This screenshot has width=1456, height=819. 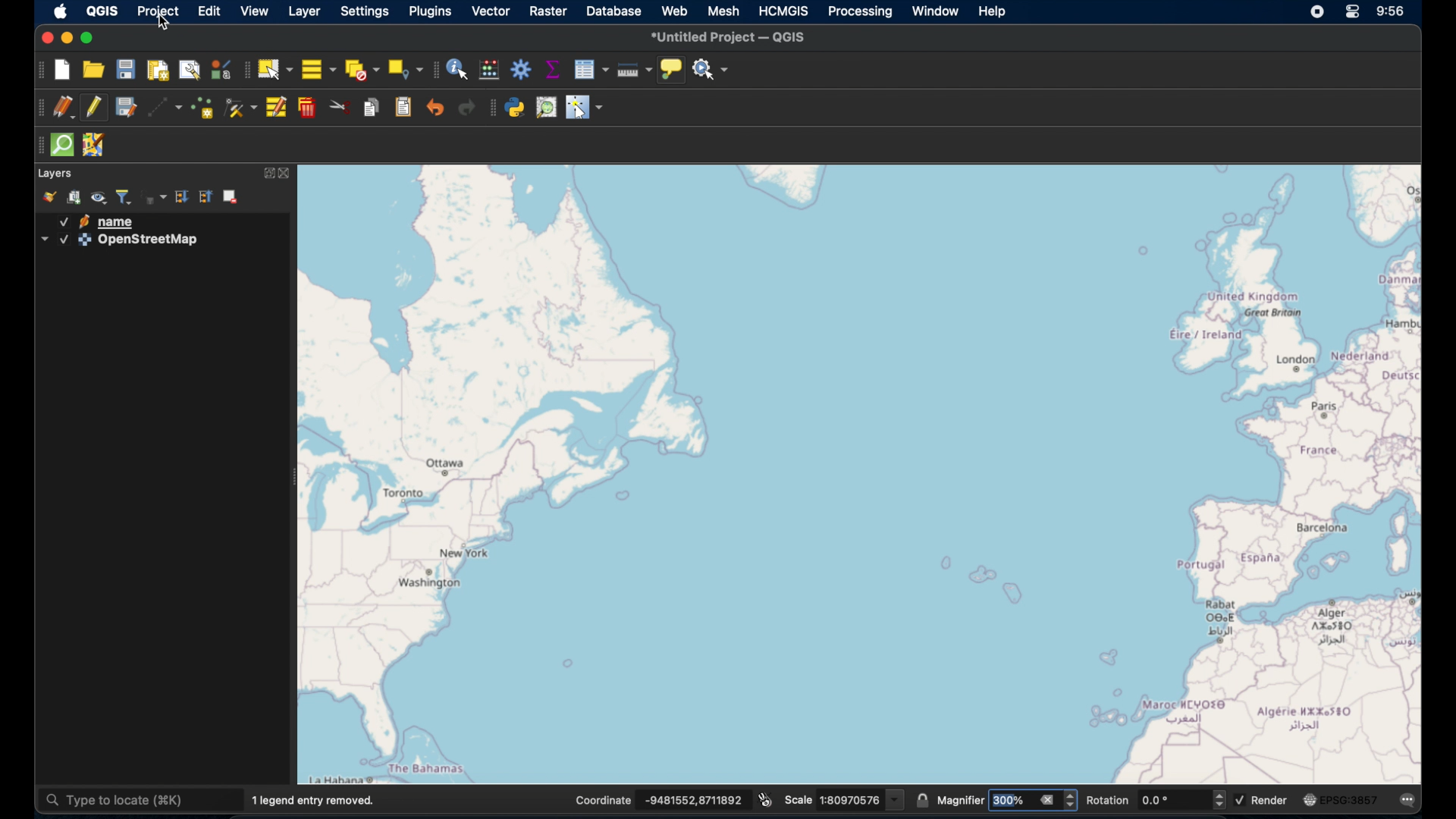 I want to click on show statistical summary, so click(x=553, y=70).